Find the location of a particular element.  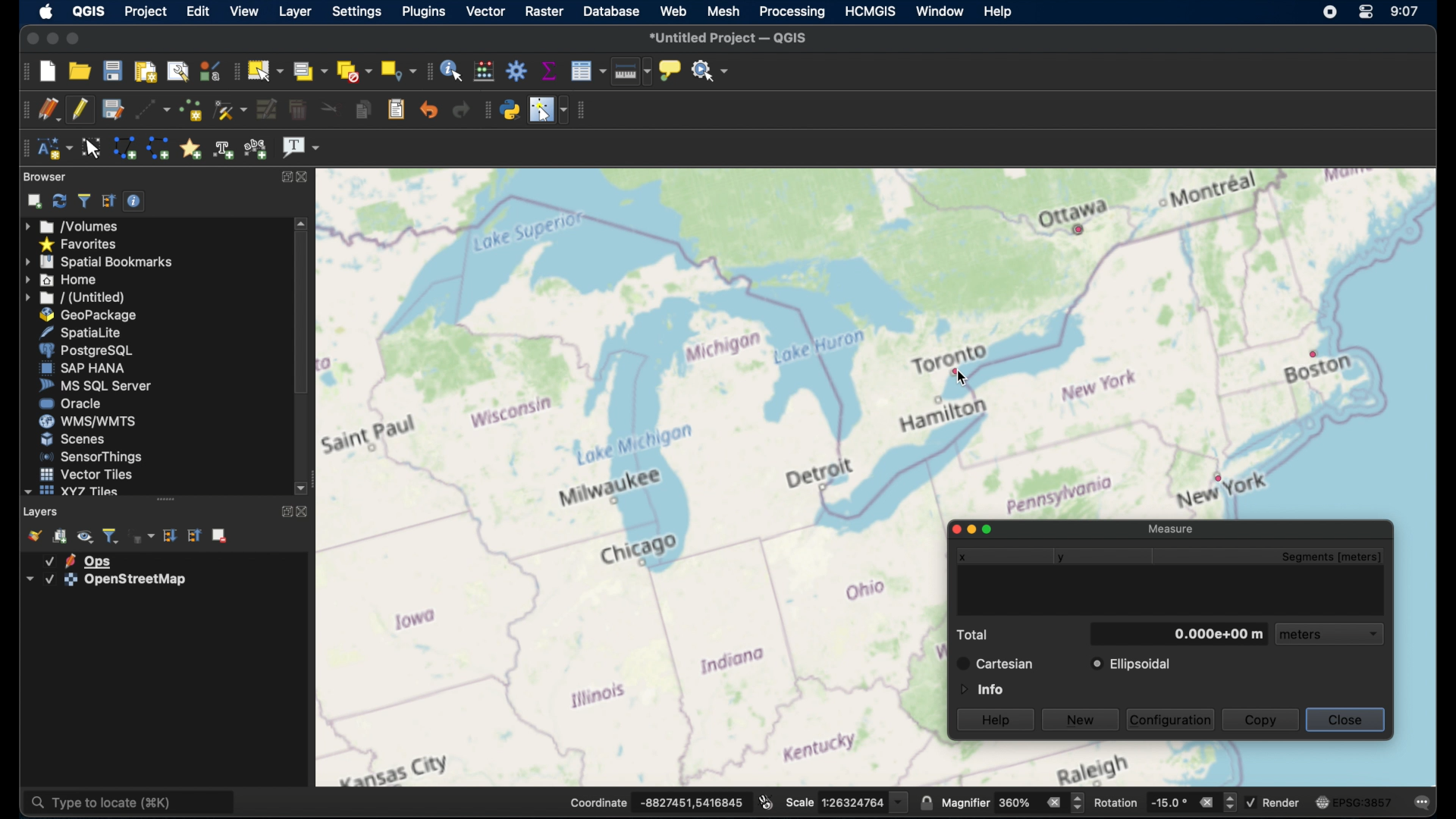

style manager is located at coordinates (210, 69).